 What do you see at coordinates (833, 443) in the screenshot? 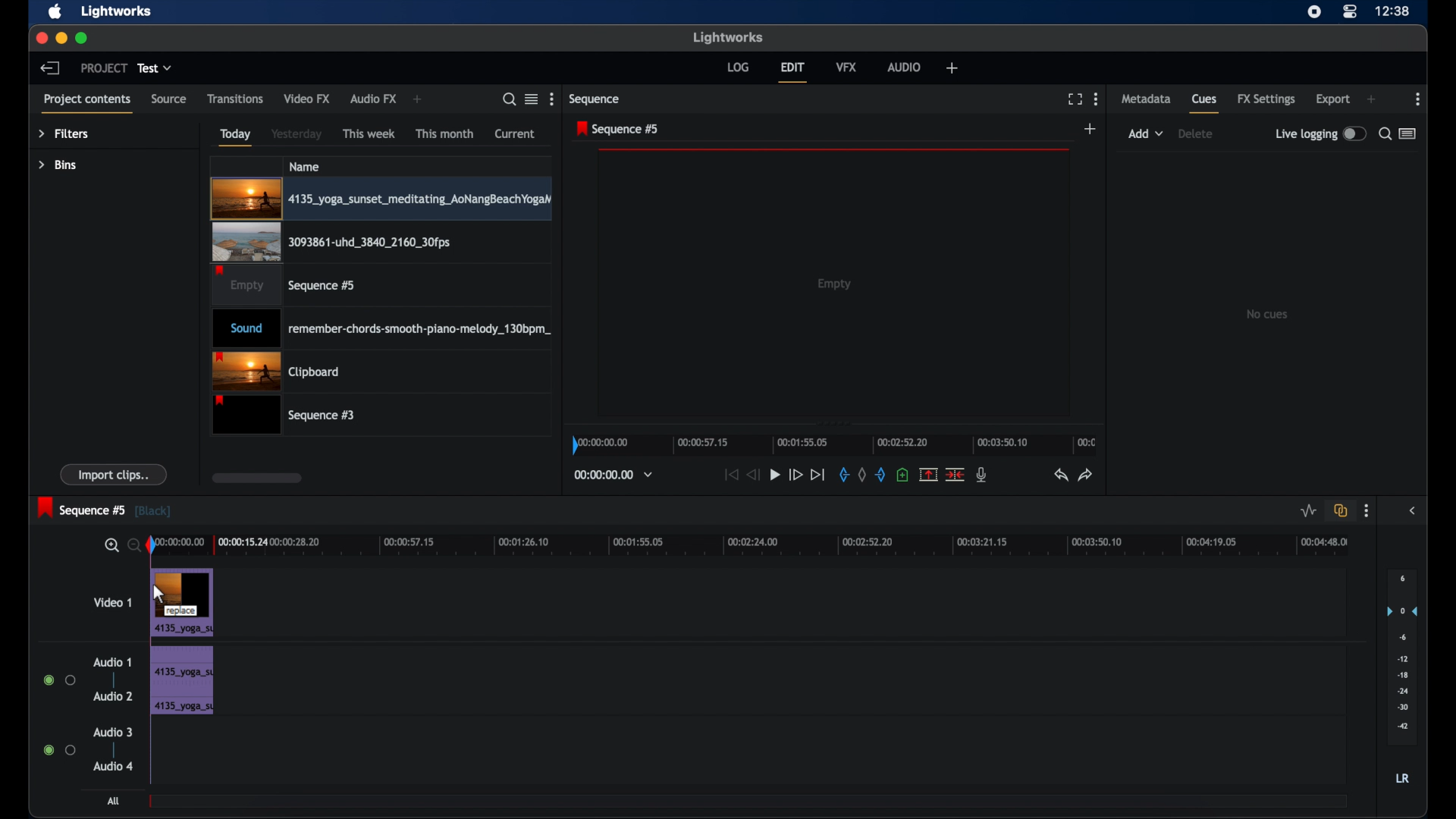
I see `timeline  scale` at bounding box center [833, 443].